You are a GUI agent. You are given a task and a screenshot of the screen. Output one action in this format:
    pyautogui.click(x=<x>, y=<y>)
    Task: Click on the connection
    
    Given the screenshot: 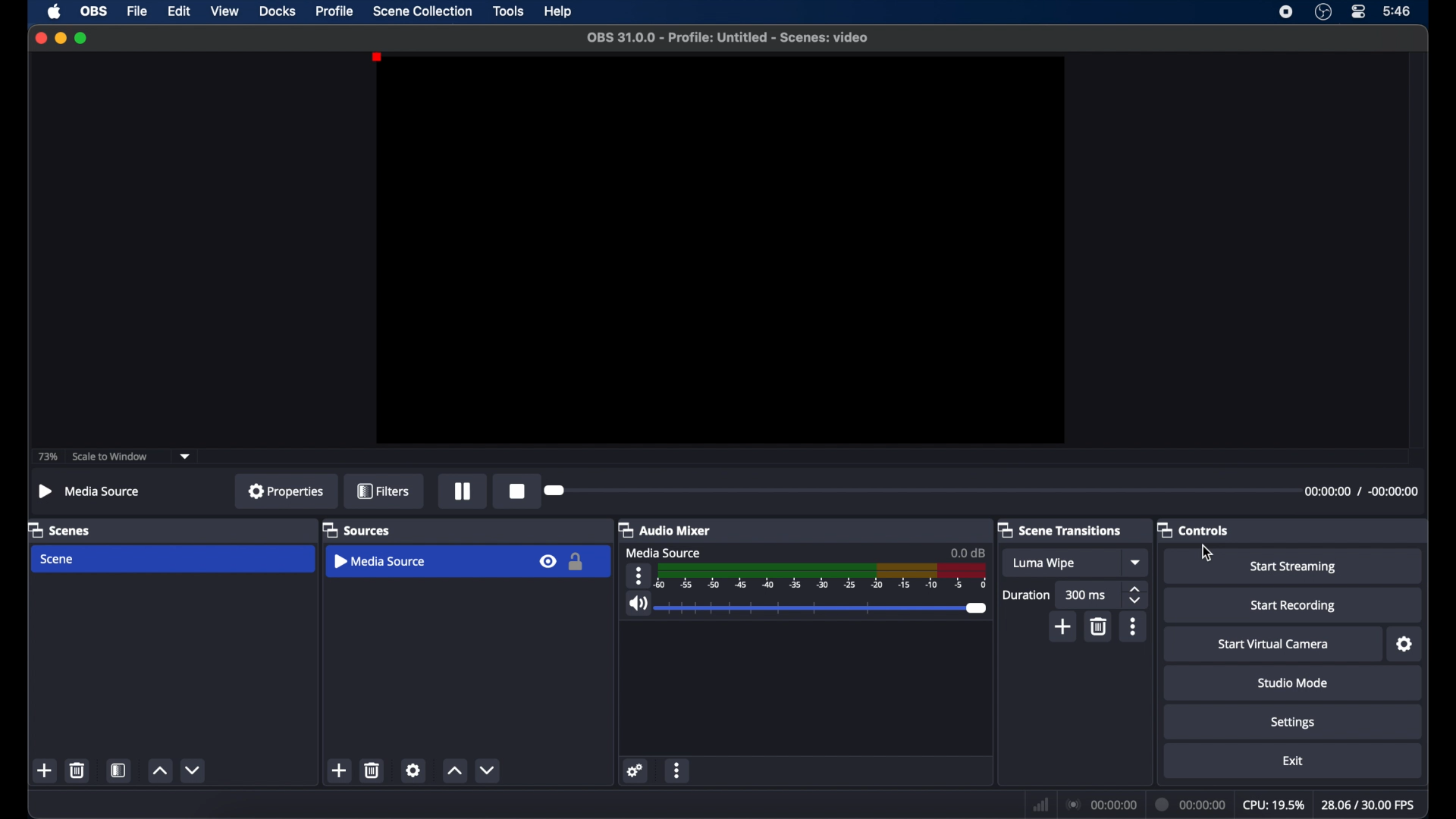 What is the action you would take?
    pyautogui.click(x=1100, y=805)
    